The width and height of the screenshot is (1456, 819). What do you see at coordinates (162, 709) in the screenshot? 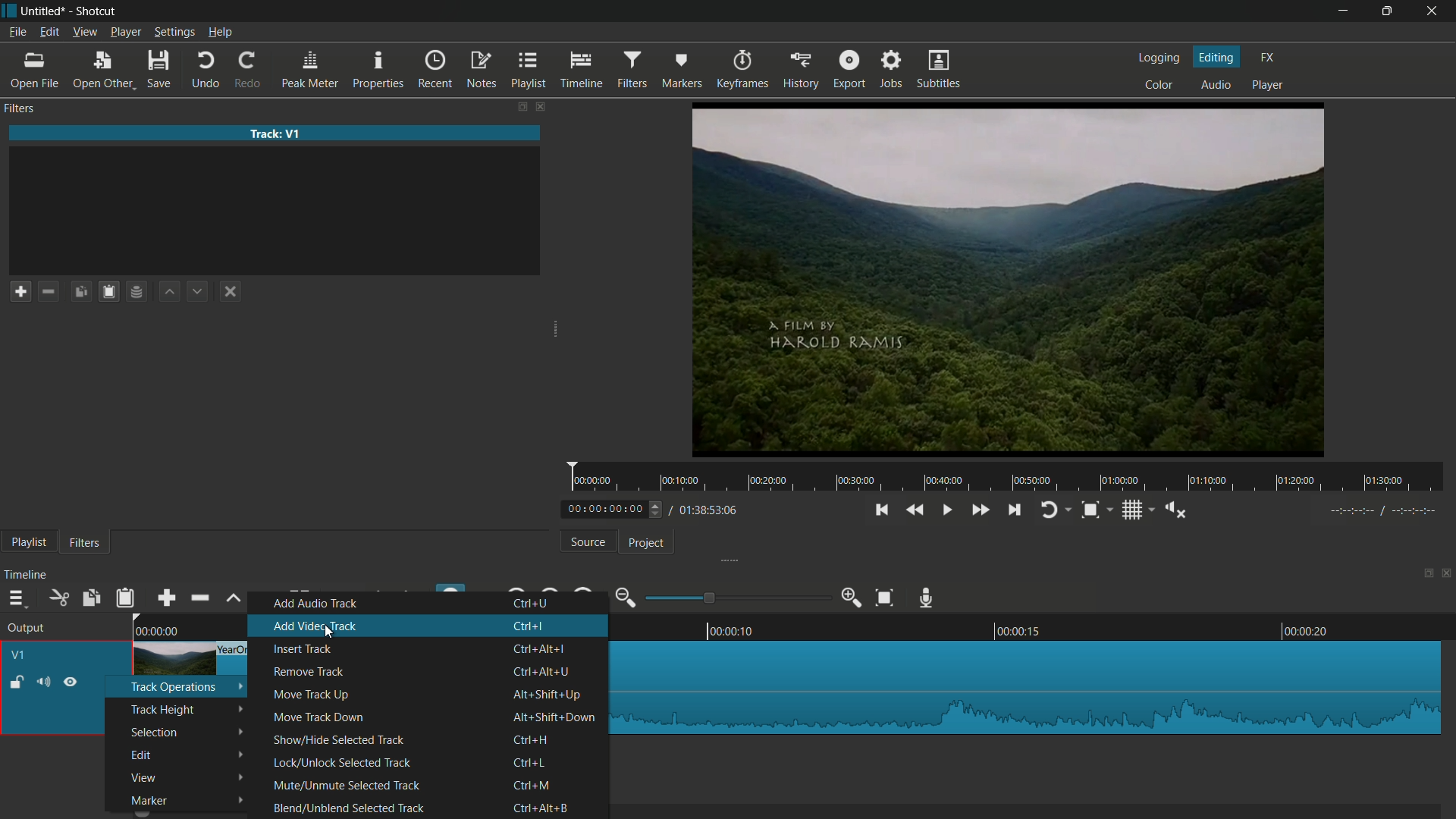
I see `track height` at bounding box center [162, 709].